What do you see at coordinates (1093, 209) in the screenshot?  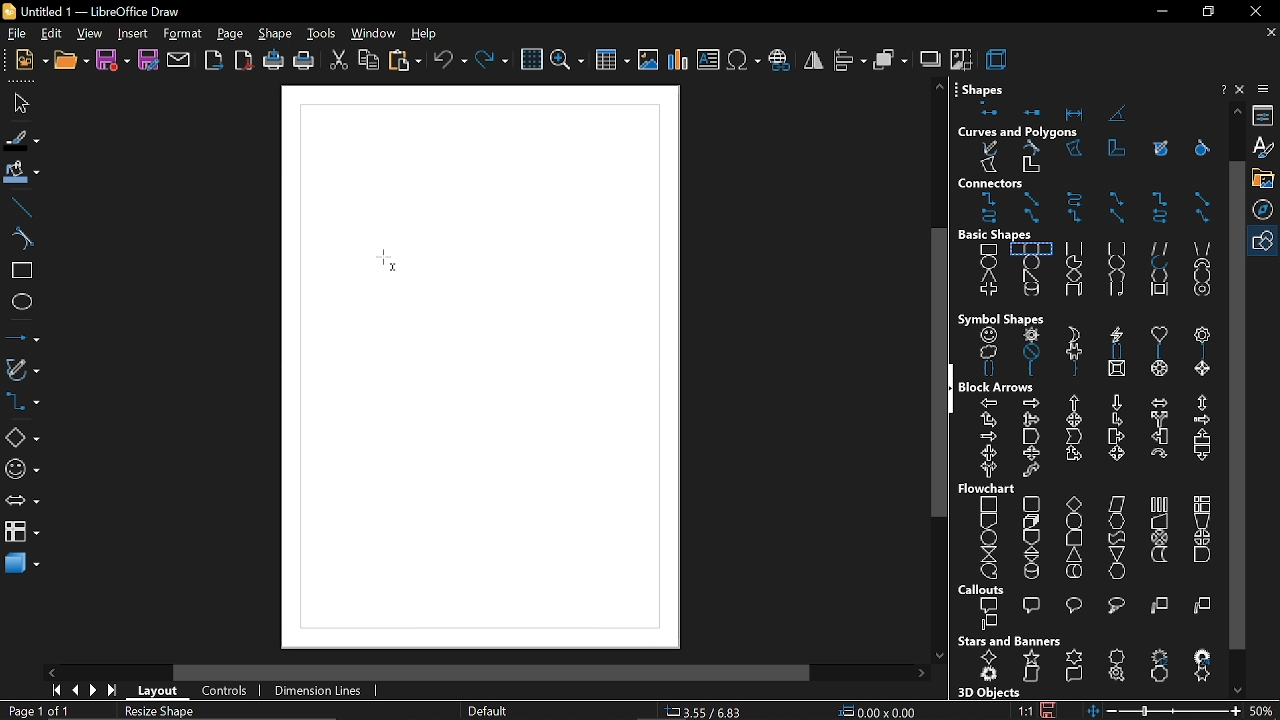 I see `connectors` at bounding box center [1093, 209].